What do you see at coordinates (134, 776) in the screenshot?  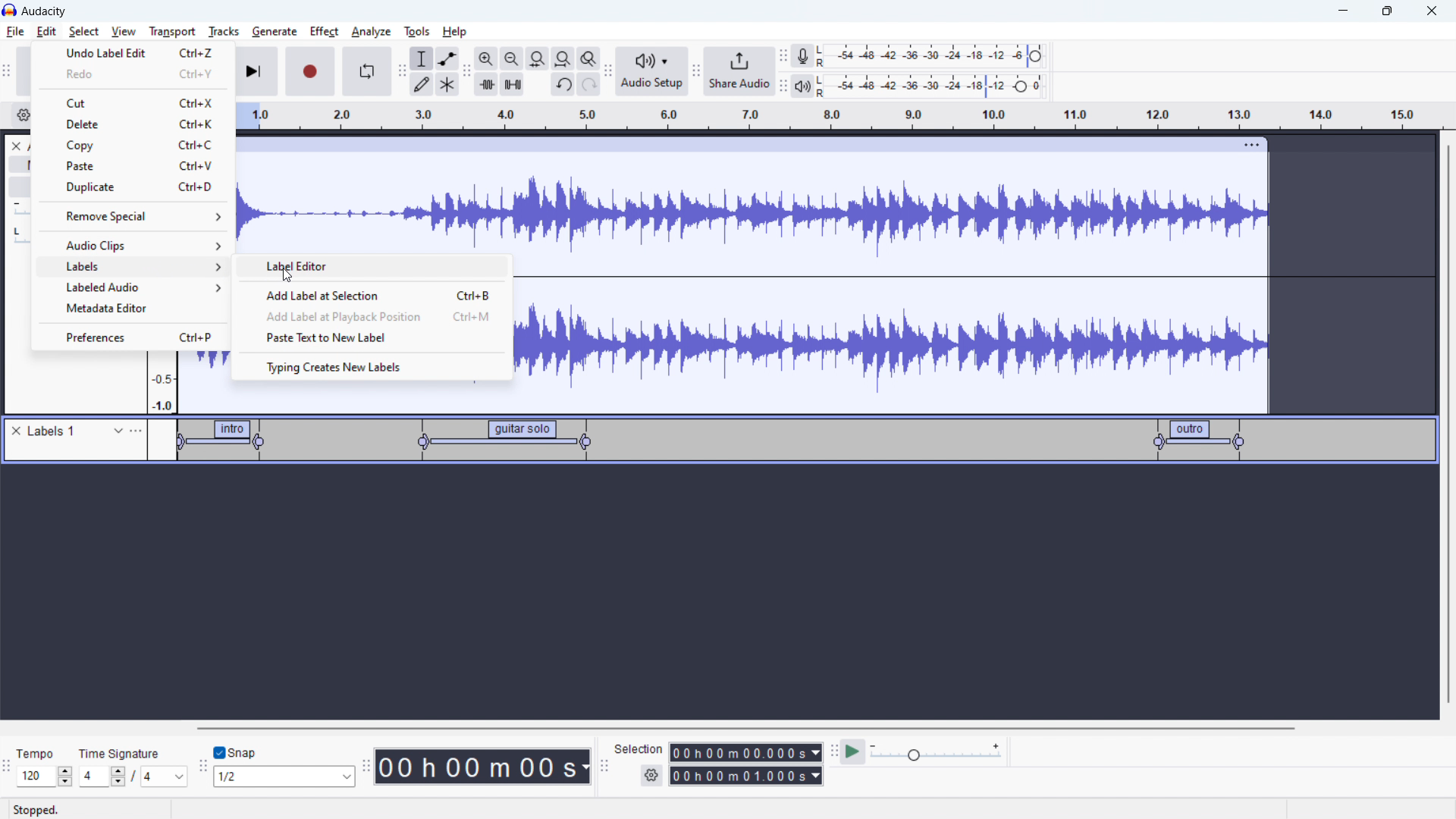 I see `set time signature` at bounding box center [134, 776].